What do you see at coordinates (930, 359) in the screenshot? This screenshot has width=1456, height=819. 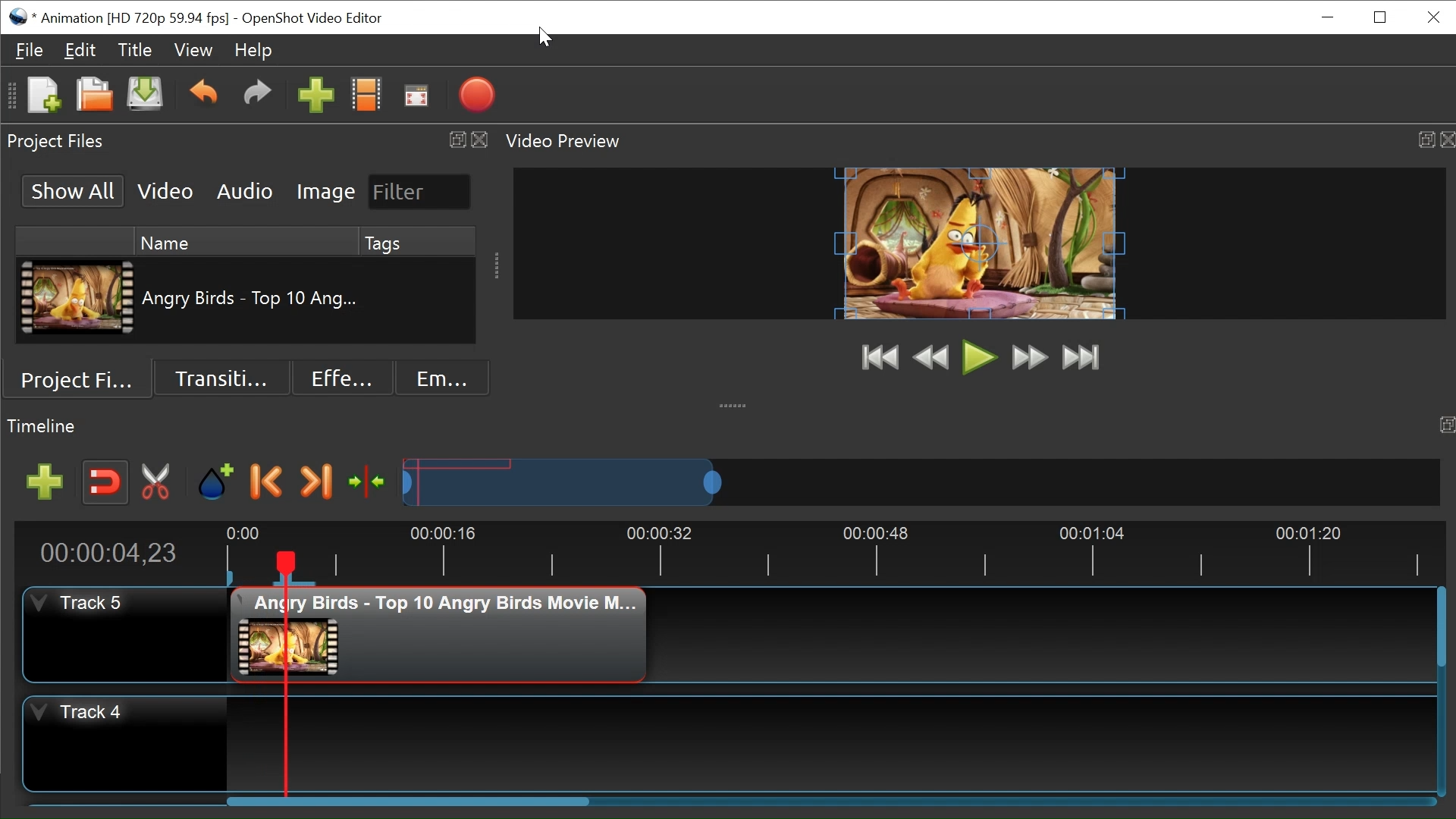 I see `Preview` at bounding box center [930, 359].